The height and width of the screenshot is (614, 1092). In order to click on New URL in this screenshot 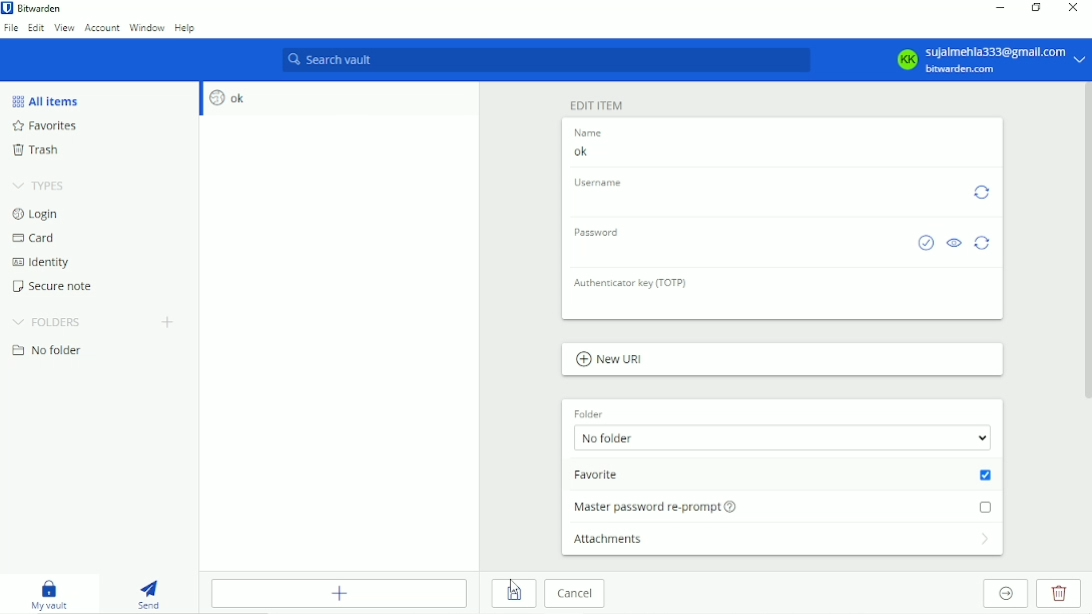, I will do `click(616, 360)`.